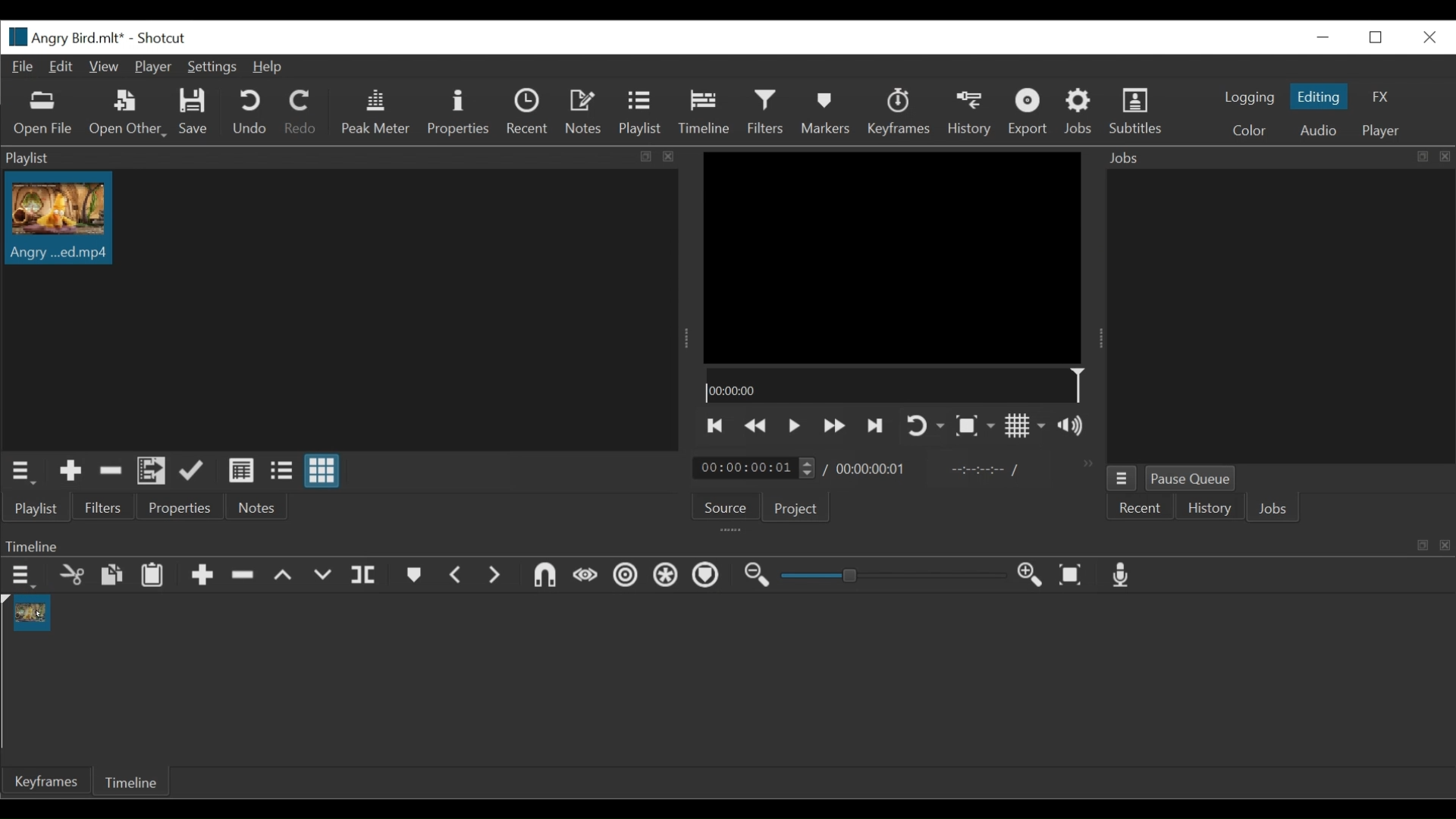 The image size is (1456, 819). I want to click on Export, so click(1031, 114).